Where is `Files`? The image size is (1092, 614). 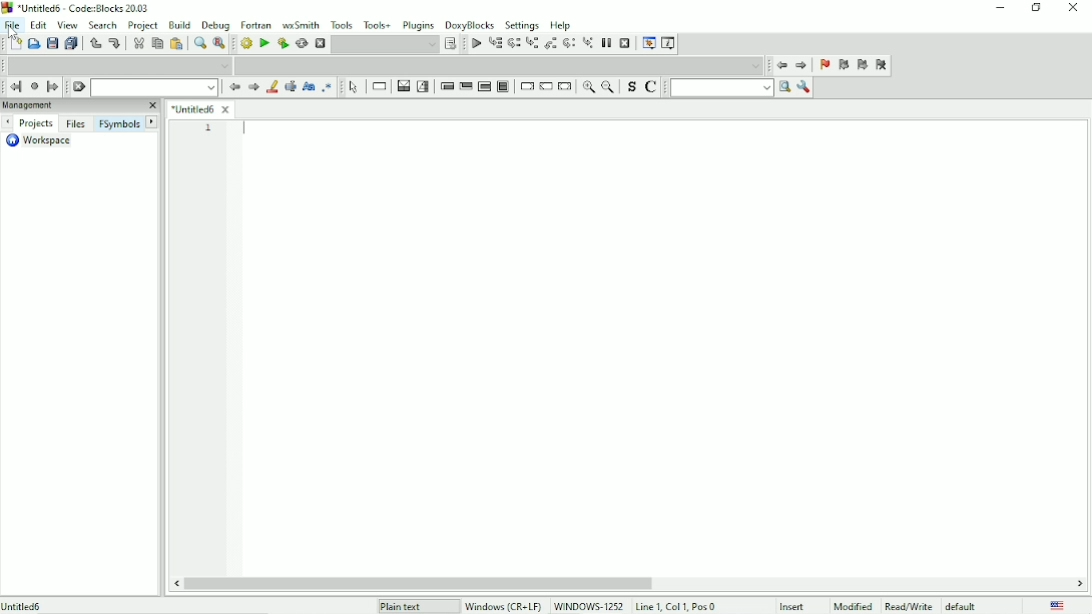 Files is located at coordinates (76, 124).